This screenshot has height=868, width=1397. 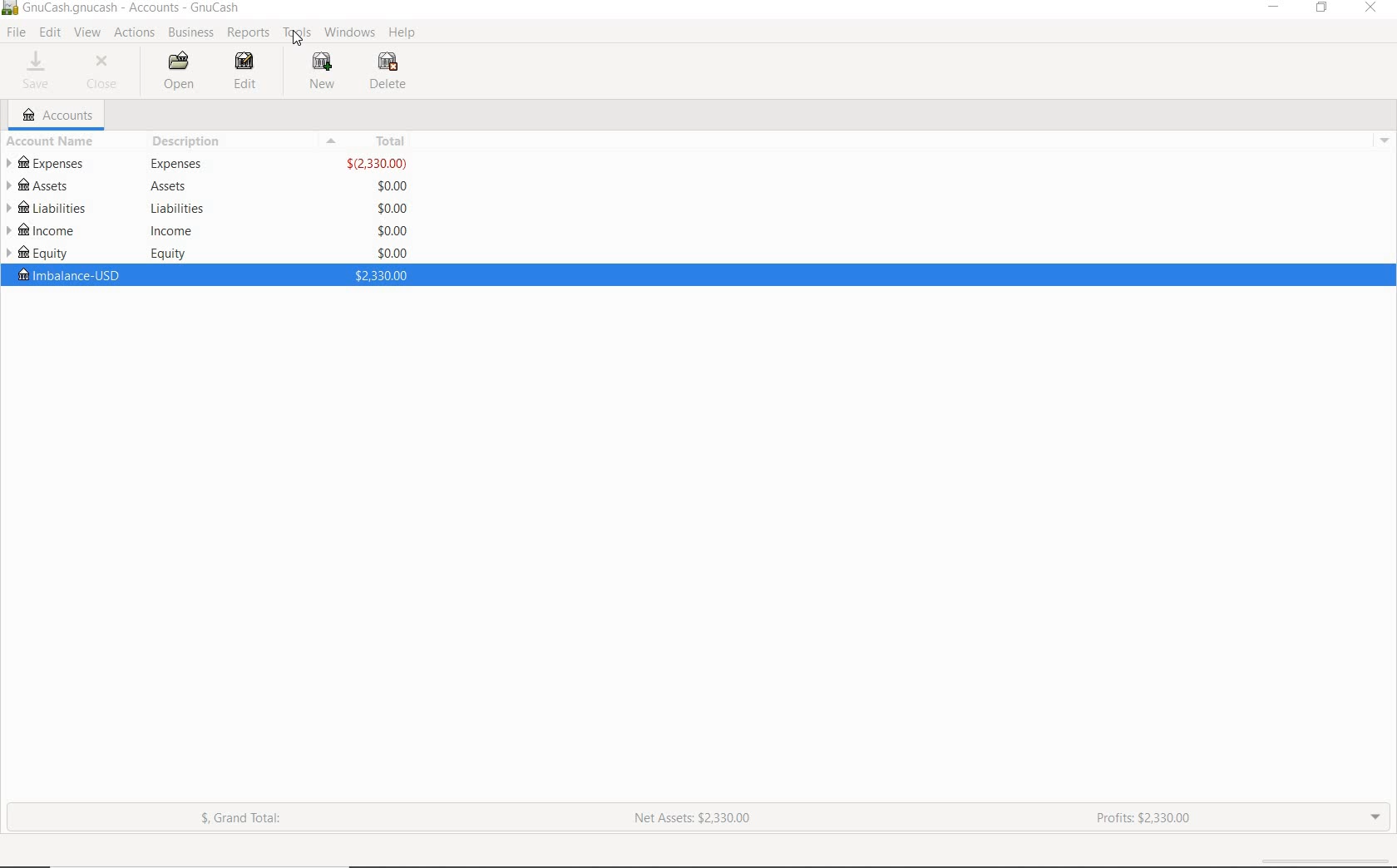 I want to click on VIEW, so click(x=86, y=33).